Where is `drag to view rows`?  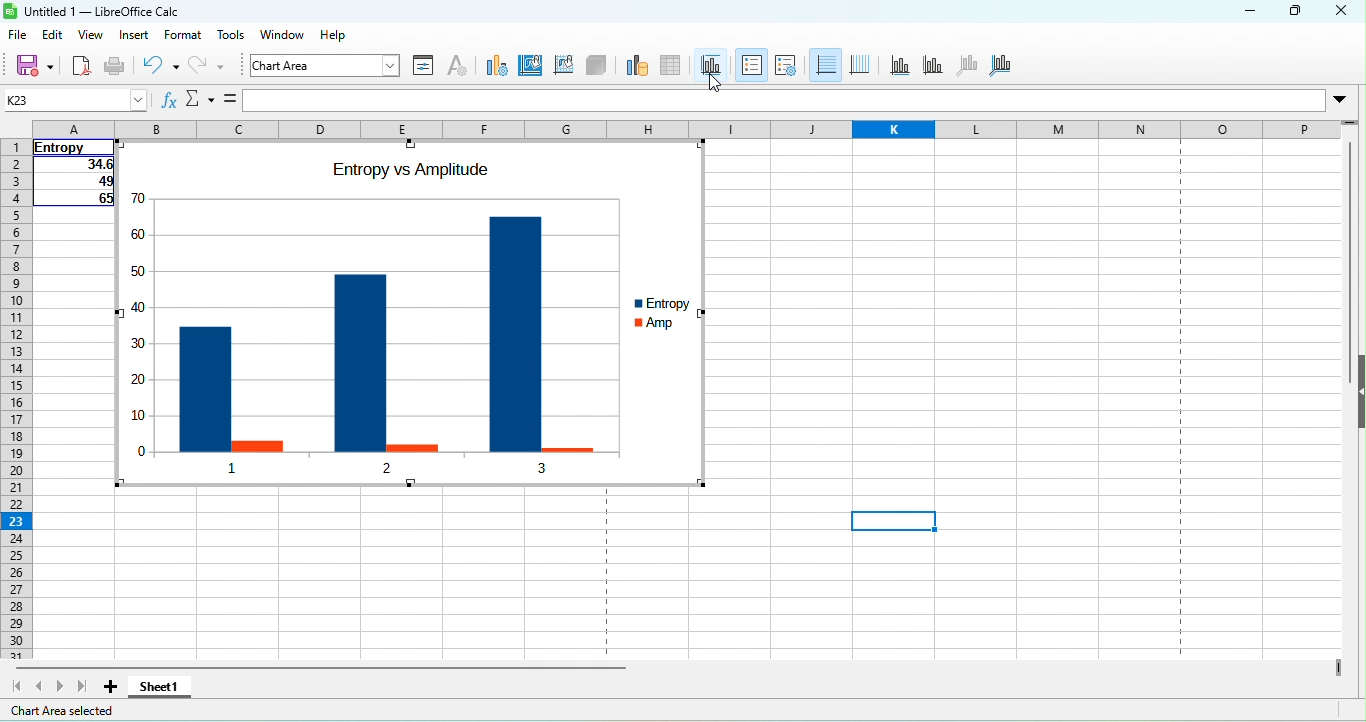 drag to view rows is located at coordinates (1350, 120).